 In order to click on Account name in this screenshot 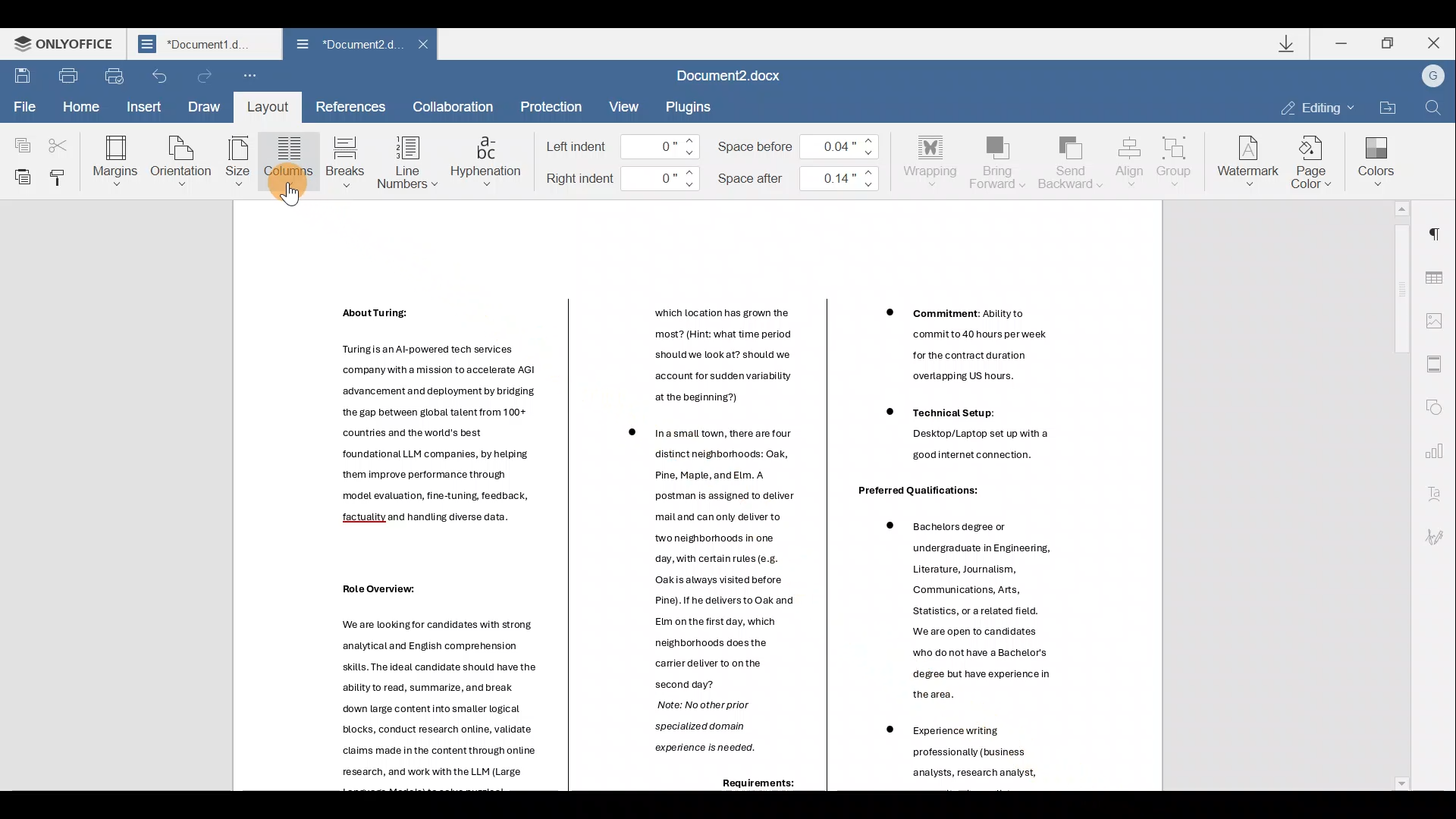, I will do `click(1432, 77)`.